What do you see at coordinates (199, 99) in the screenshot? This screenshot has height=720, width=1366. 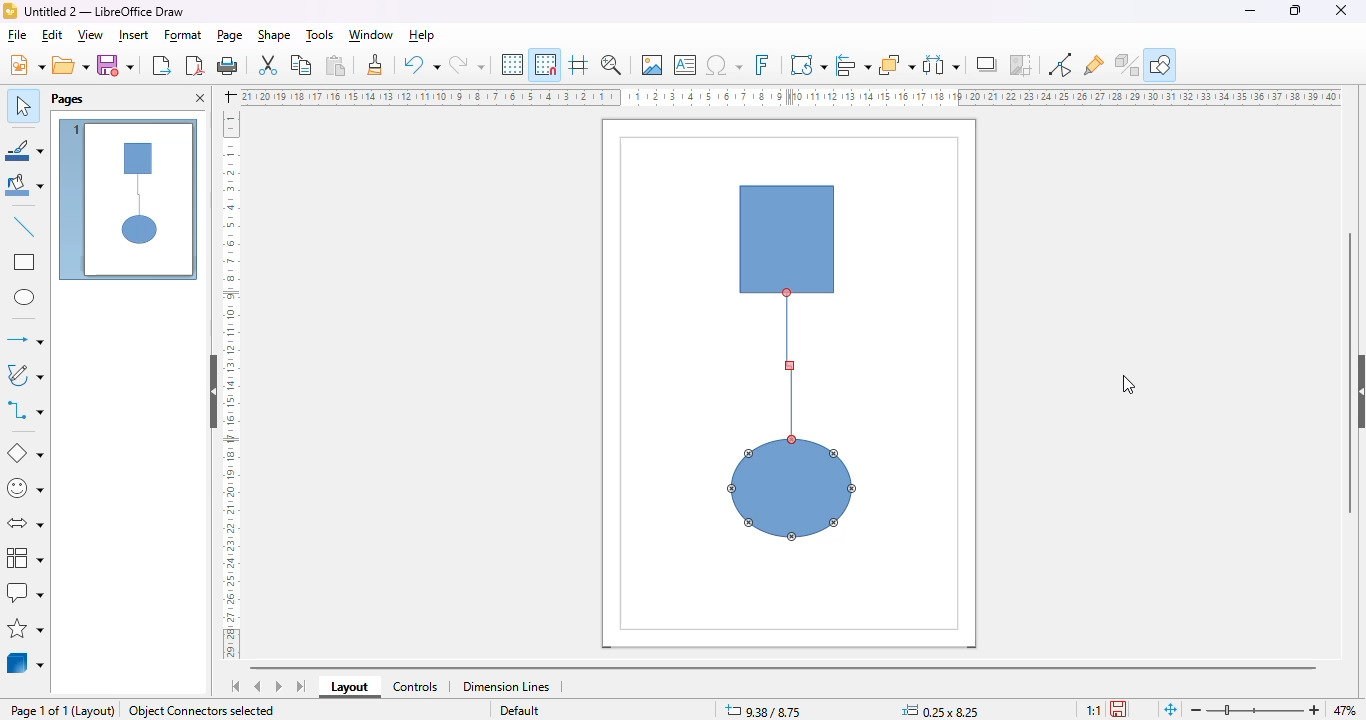 I see `close pane` at bounding box center [199, 99].